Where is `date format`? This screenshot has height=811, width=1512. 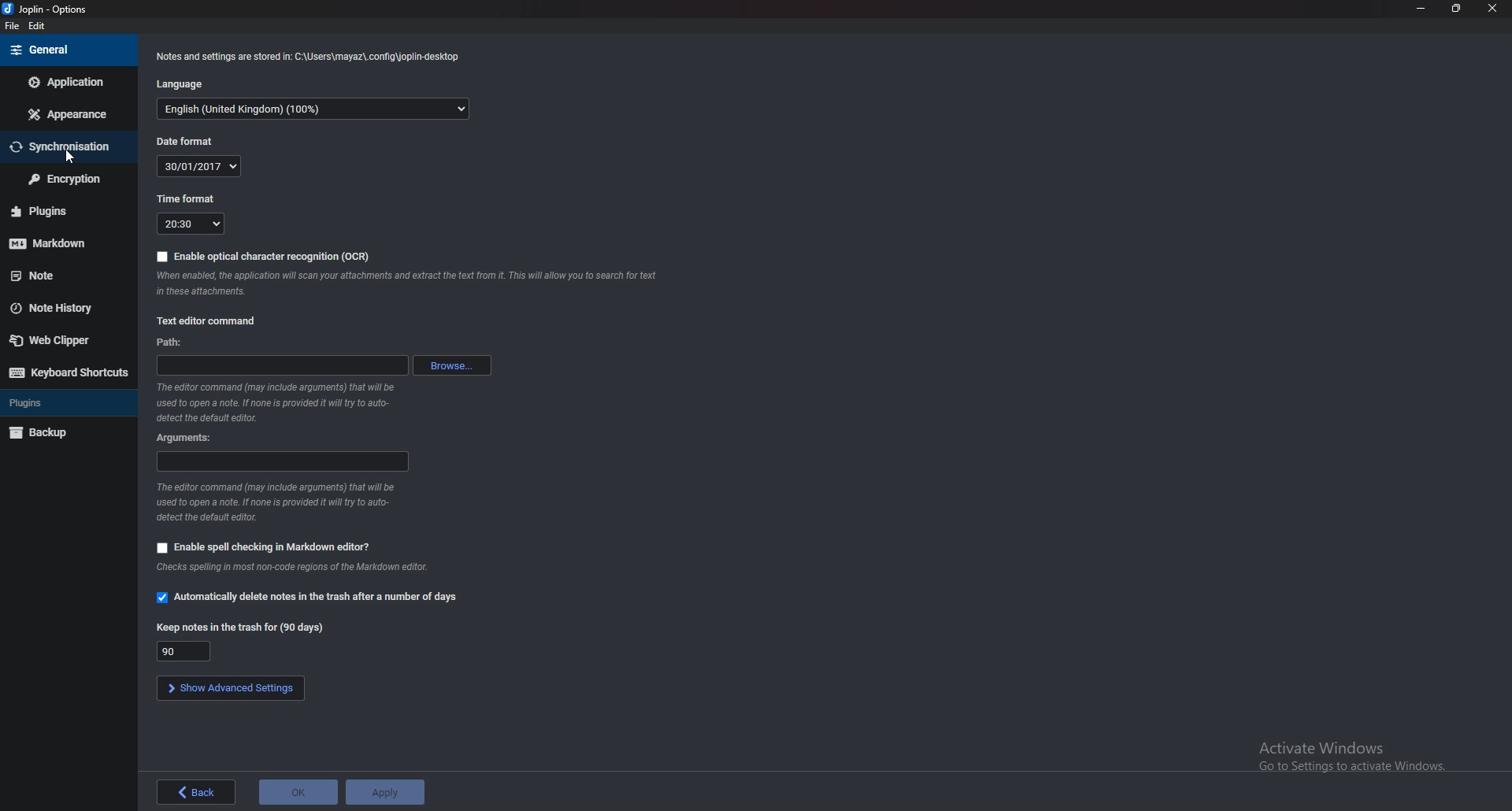 date format is located at coordinates (200, 165).